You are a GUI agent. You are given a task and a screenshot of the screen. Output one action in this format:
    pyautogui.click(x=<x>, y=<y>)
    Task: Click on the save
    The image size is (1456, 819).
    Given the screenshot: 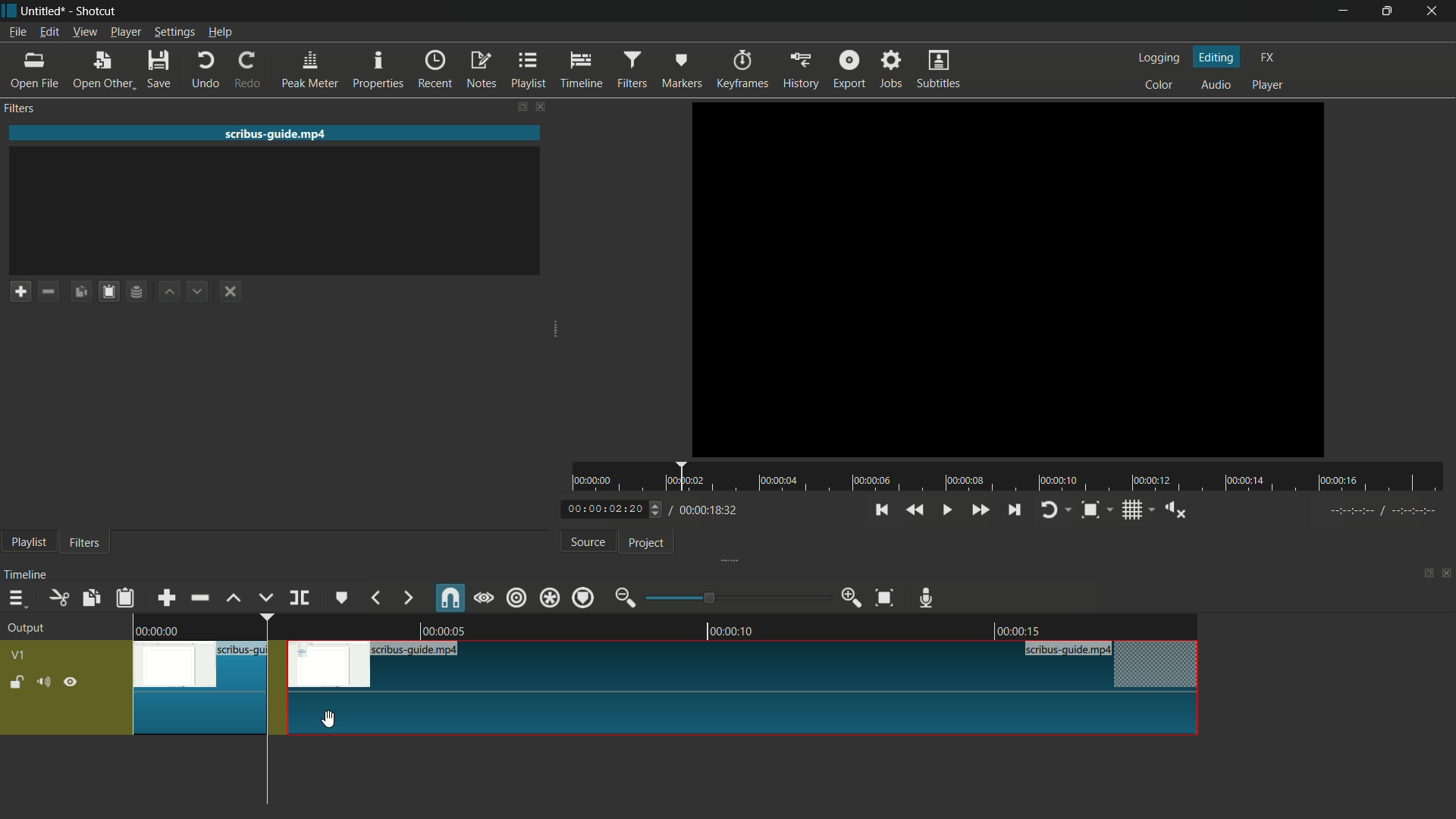 What is the action you would take?
    pyautogui.click(x=158, y=68)
    